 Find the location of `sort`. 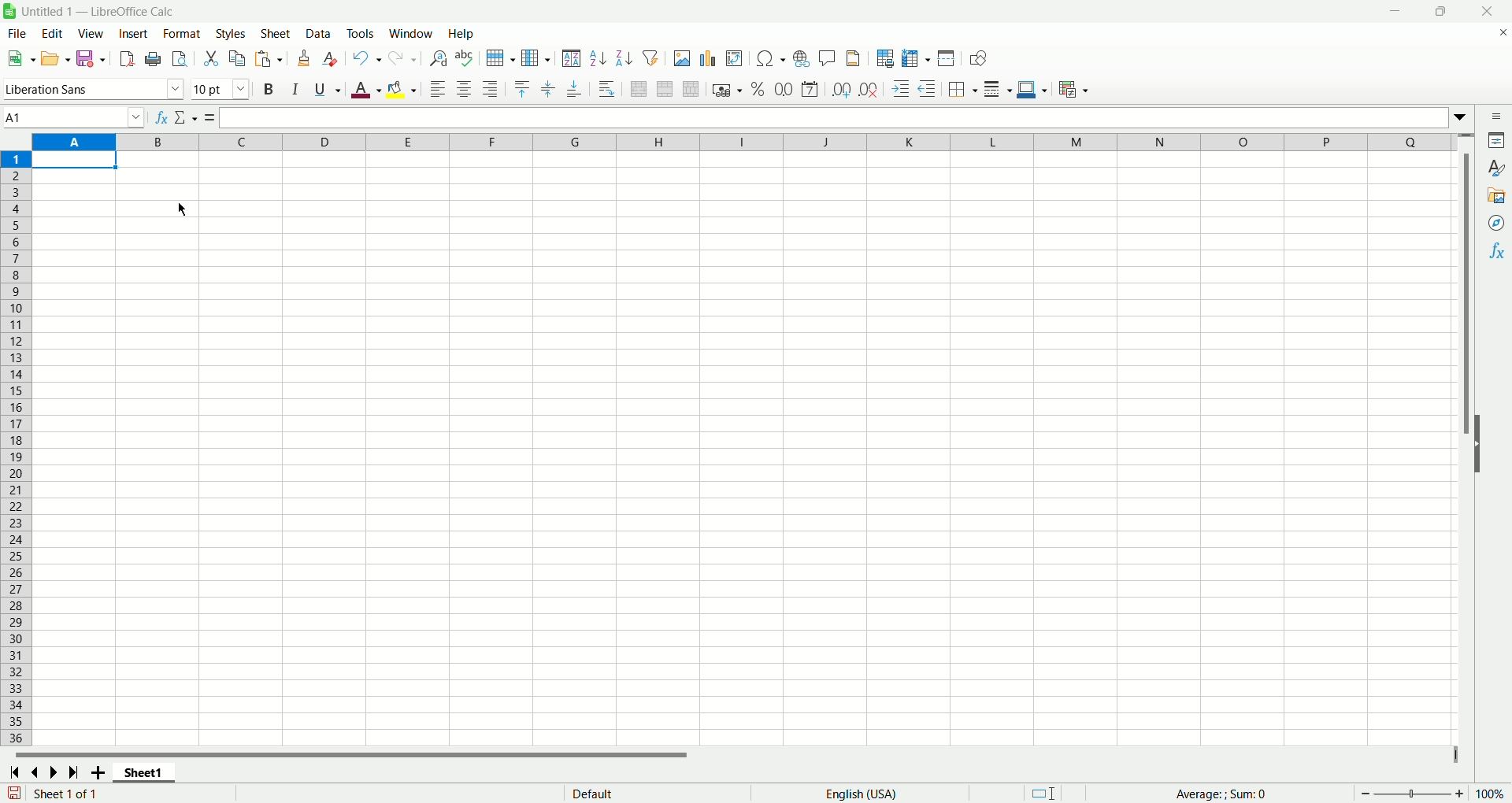

sort is located at coordinates (571, 58).